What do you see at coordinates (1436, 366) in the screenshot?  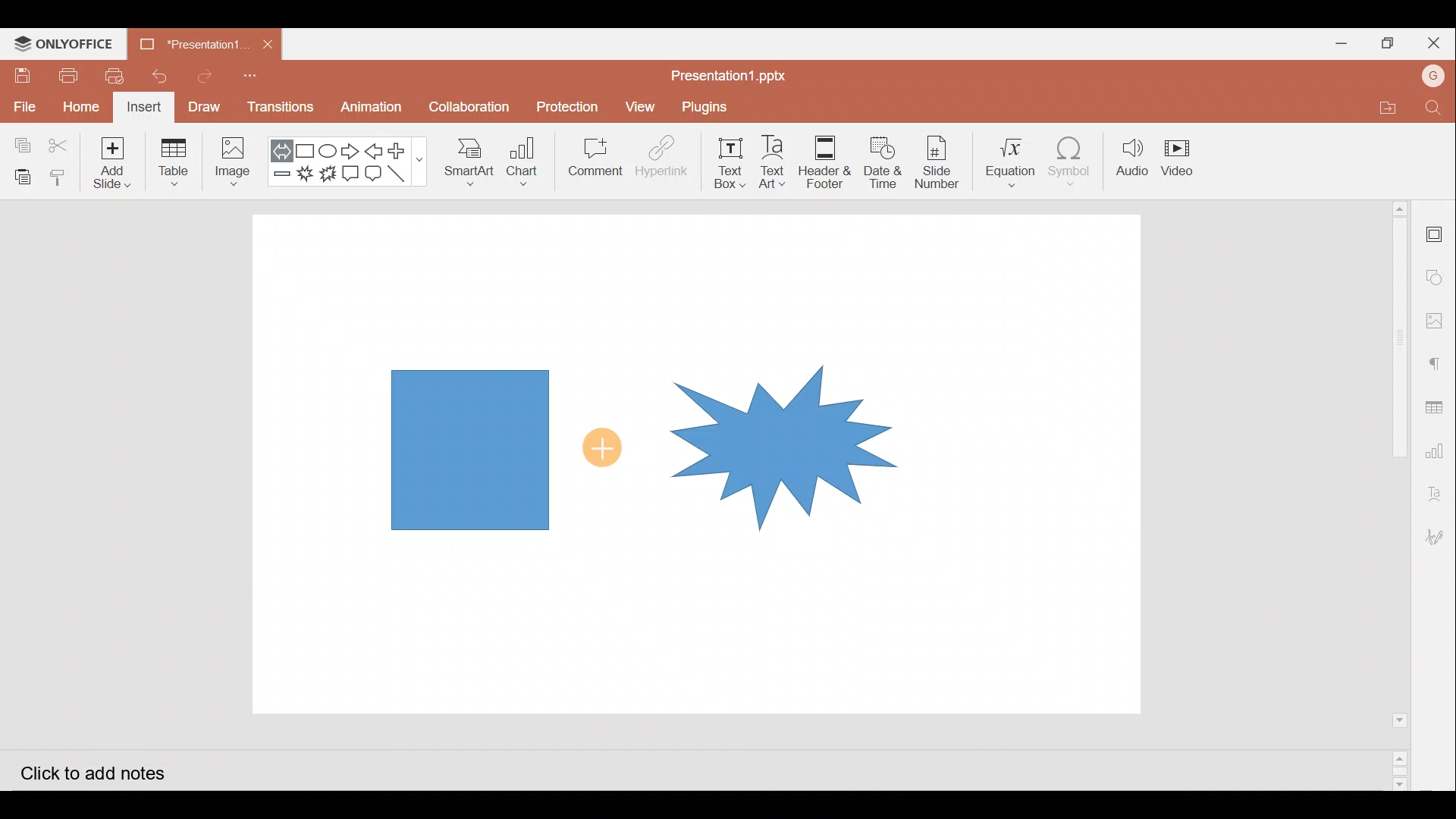 I see `Paragraph settings` at bounding box center [1436, 366].